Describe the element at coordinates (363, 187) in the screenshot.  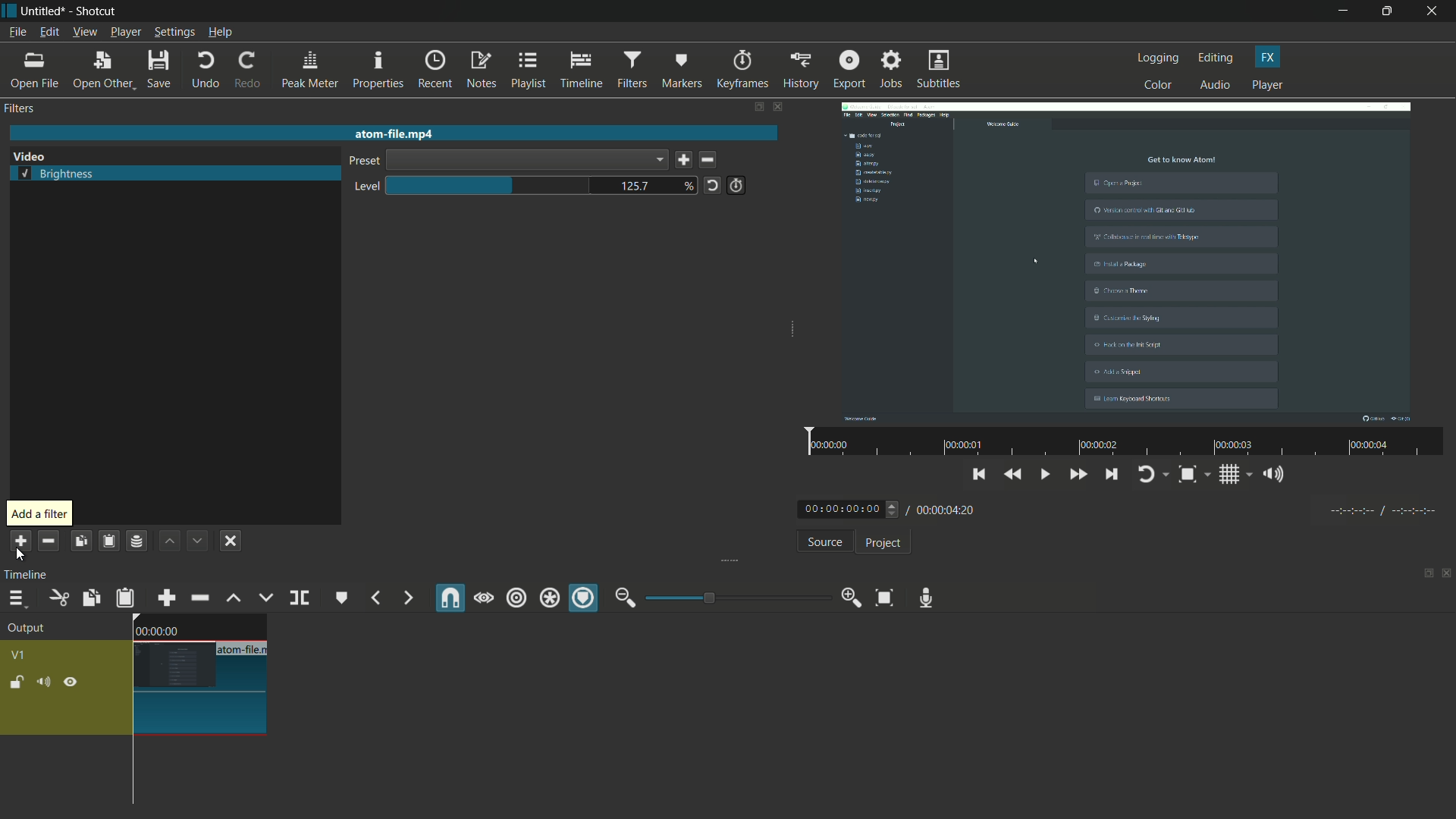
I see `level` at that location.